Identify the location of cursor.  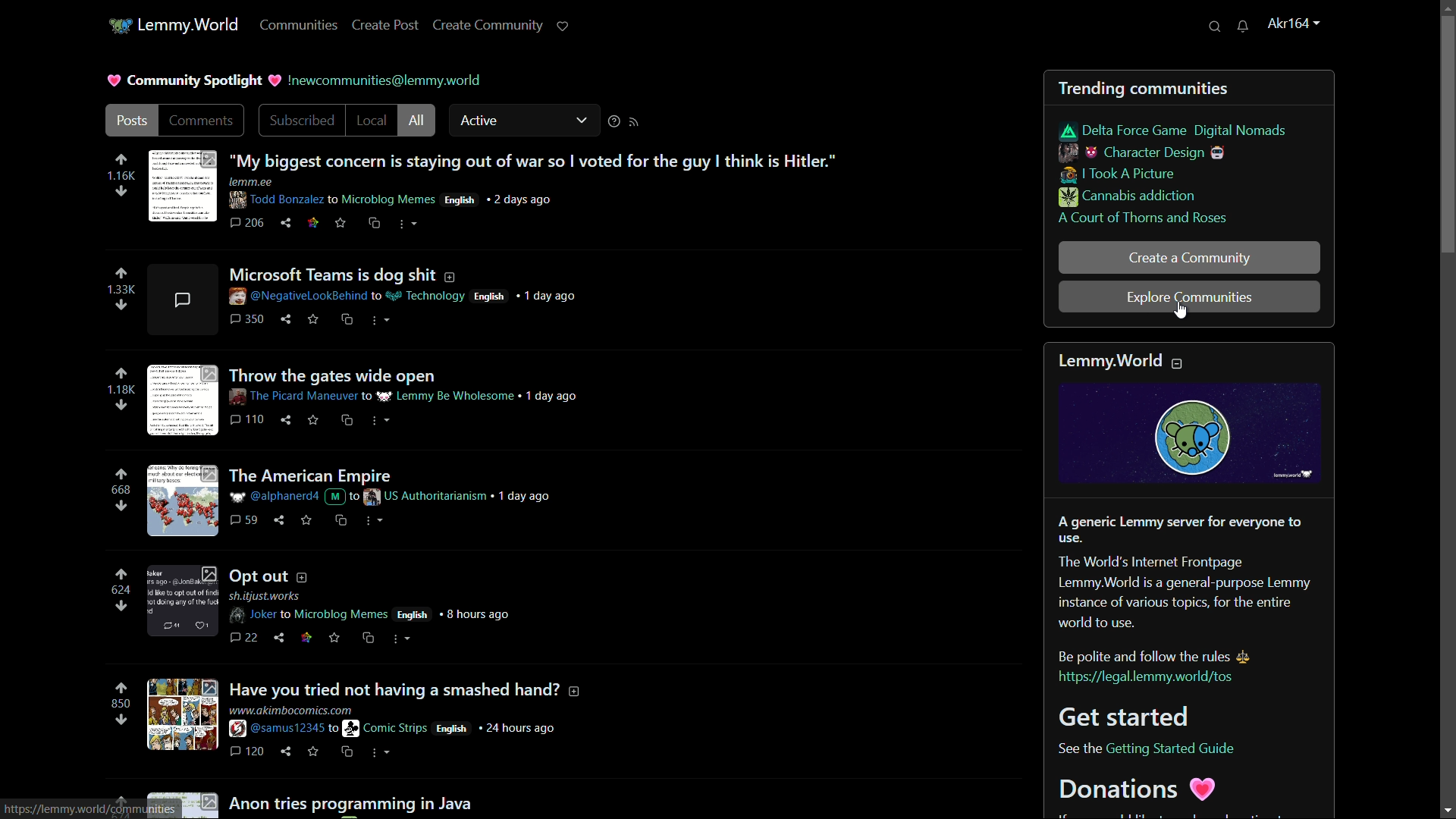
(1183, 314).